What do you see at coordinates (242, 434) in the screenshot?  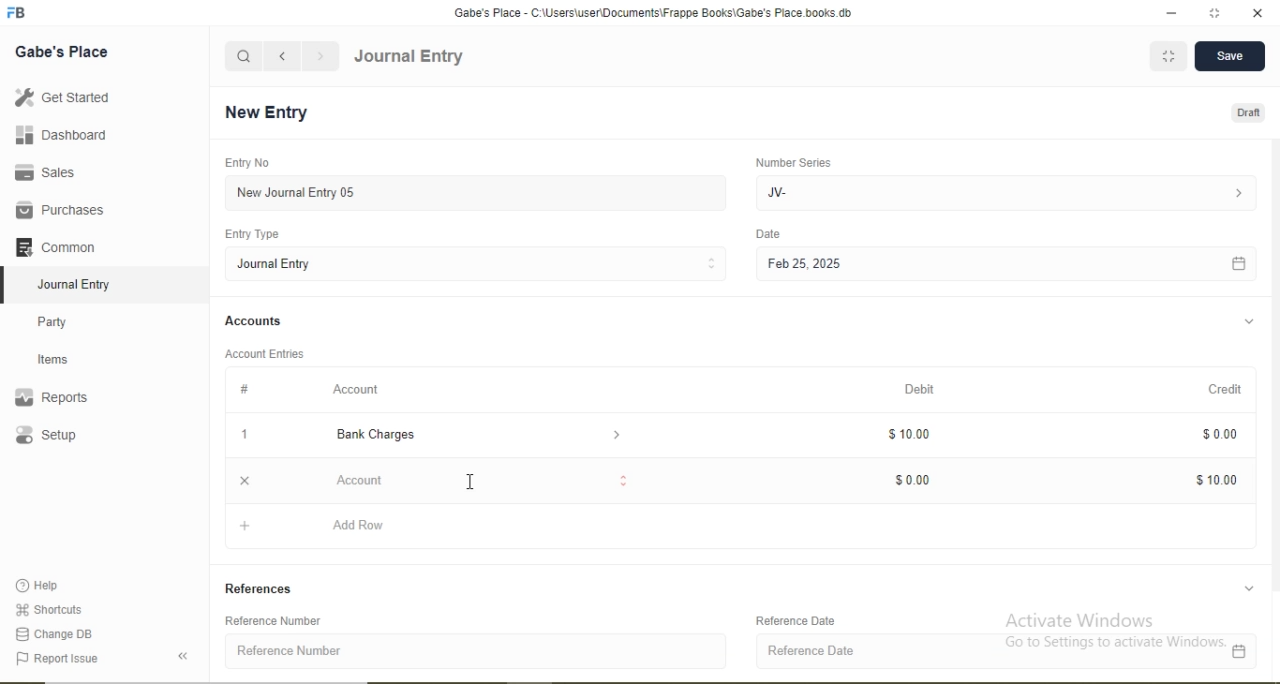 I see `1` at bounding box center [242, 434].